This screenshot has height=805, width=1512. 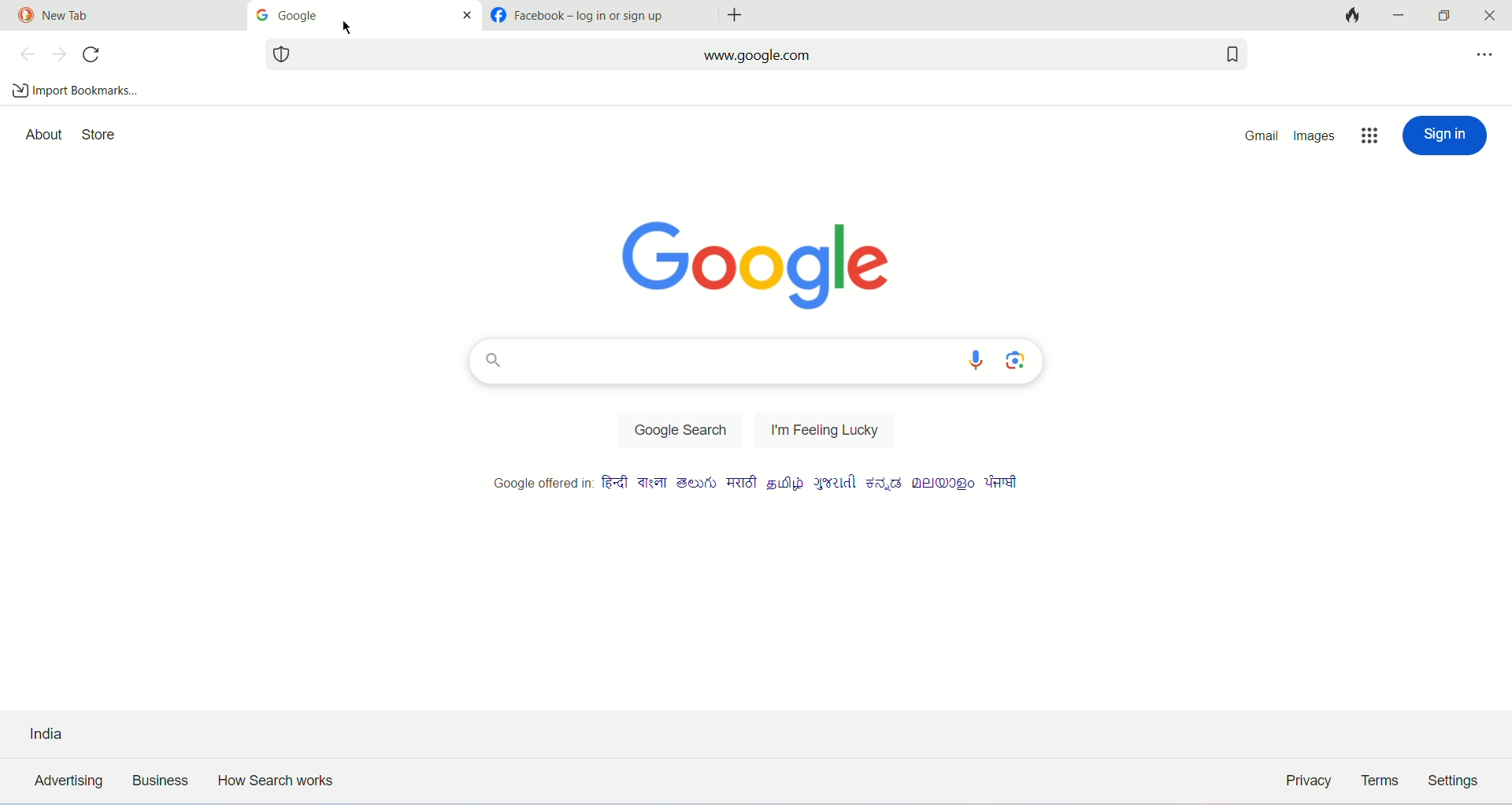 I want to click on search, so click(x=754, y=361).